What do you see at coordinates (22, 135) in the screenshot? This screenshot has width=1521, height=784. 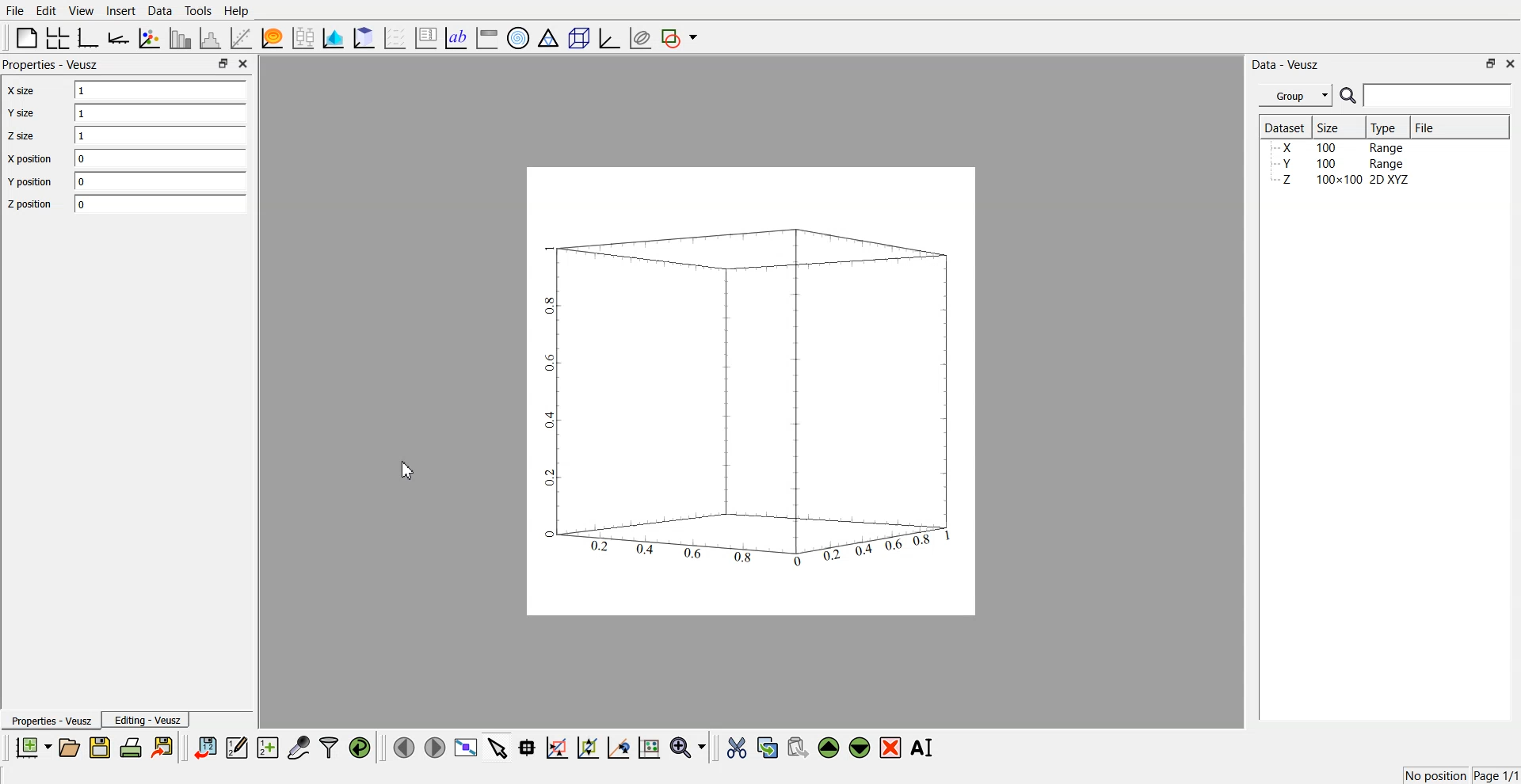 I see `Z size` at bounding box center [22, 135].